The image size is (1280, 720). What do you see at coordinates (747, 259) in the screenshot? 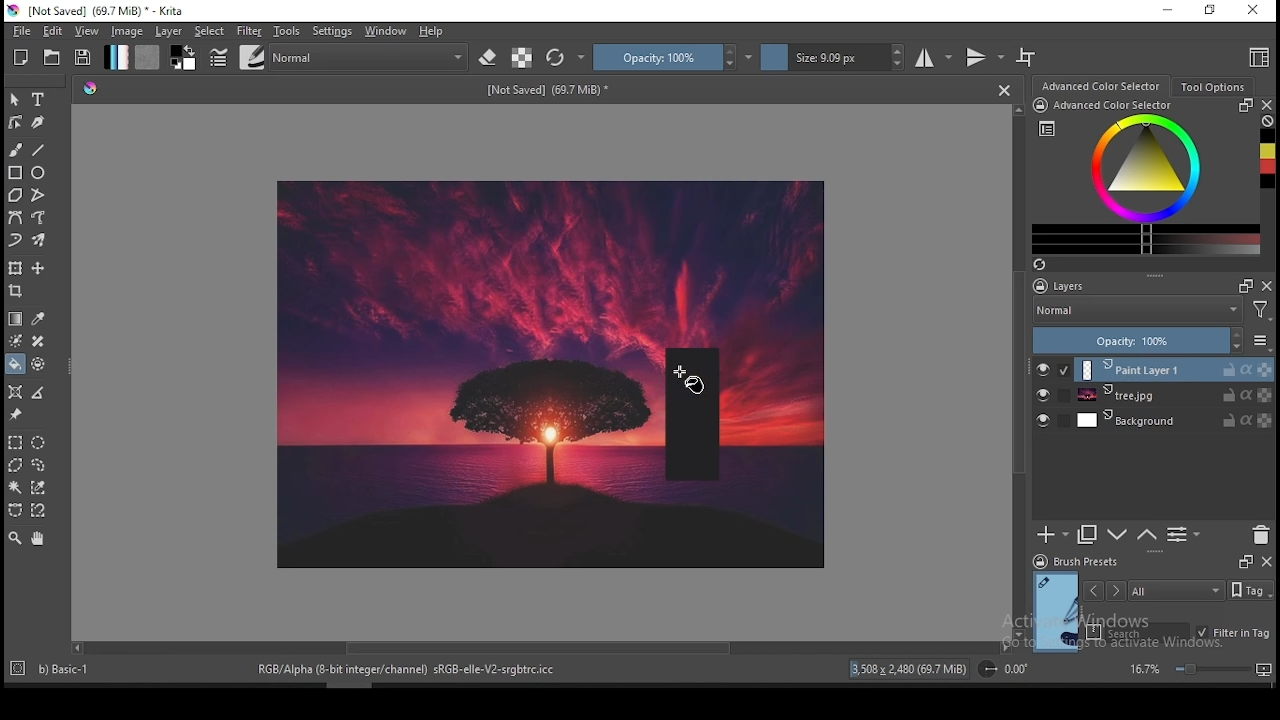
I see `image` at bounding box center [747, 259].